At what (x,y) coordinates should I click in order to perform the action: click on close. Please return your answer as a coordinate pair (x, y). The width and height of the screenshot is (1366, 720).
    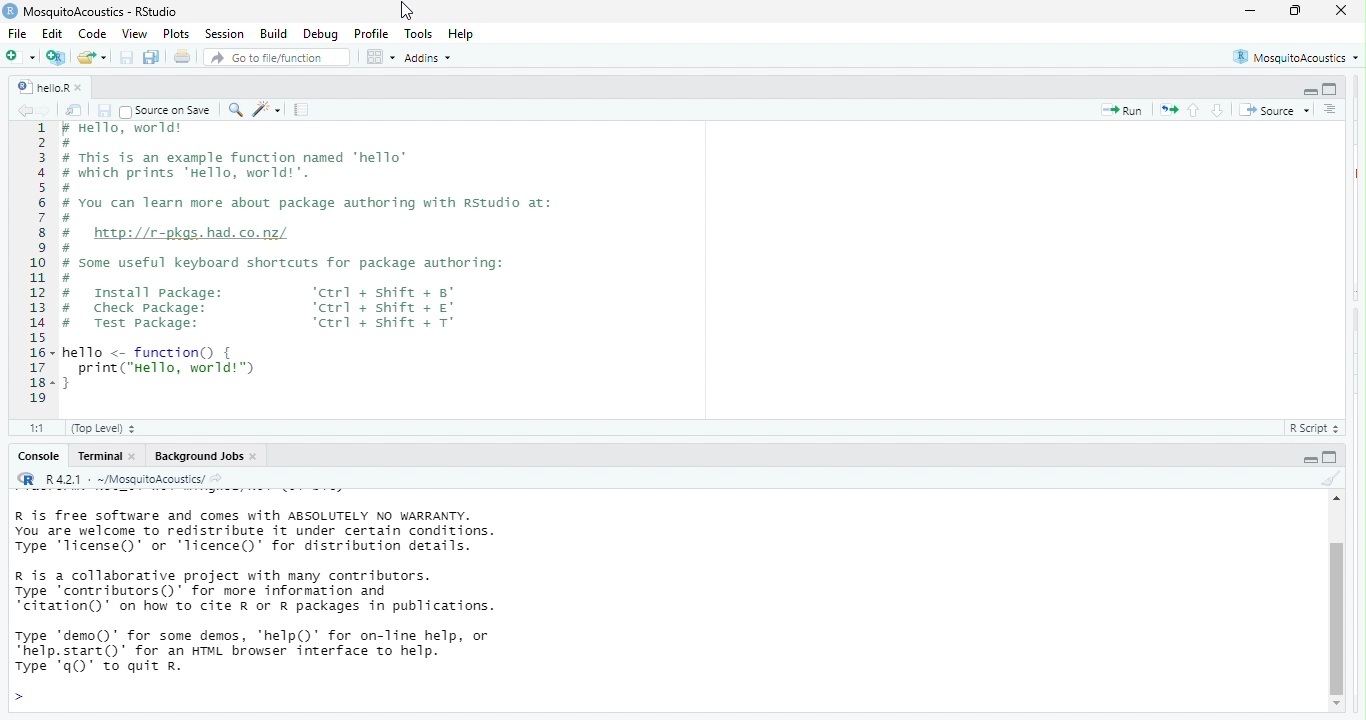
    Looking at the image, I should click on (137, 459).